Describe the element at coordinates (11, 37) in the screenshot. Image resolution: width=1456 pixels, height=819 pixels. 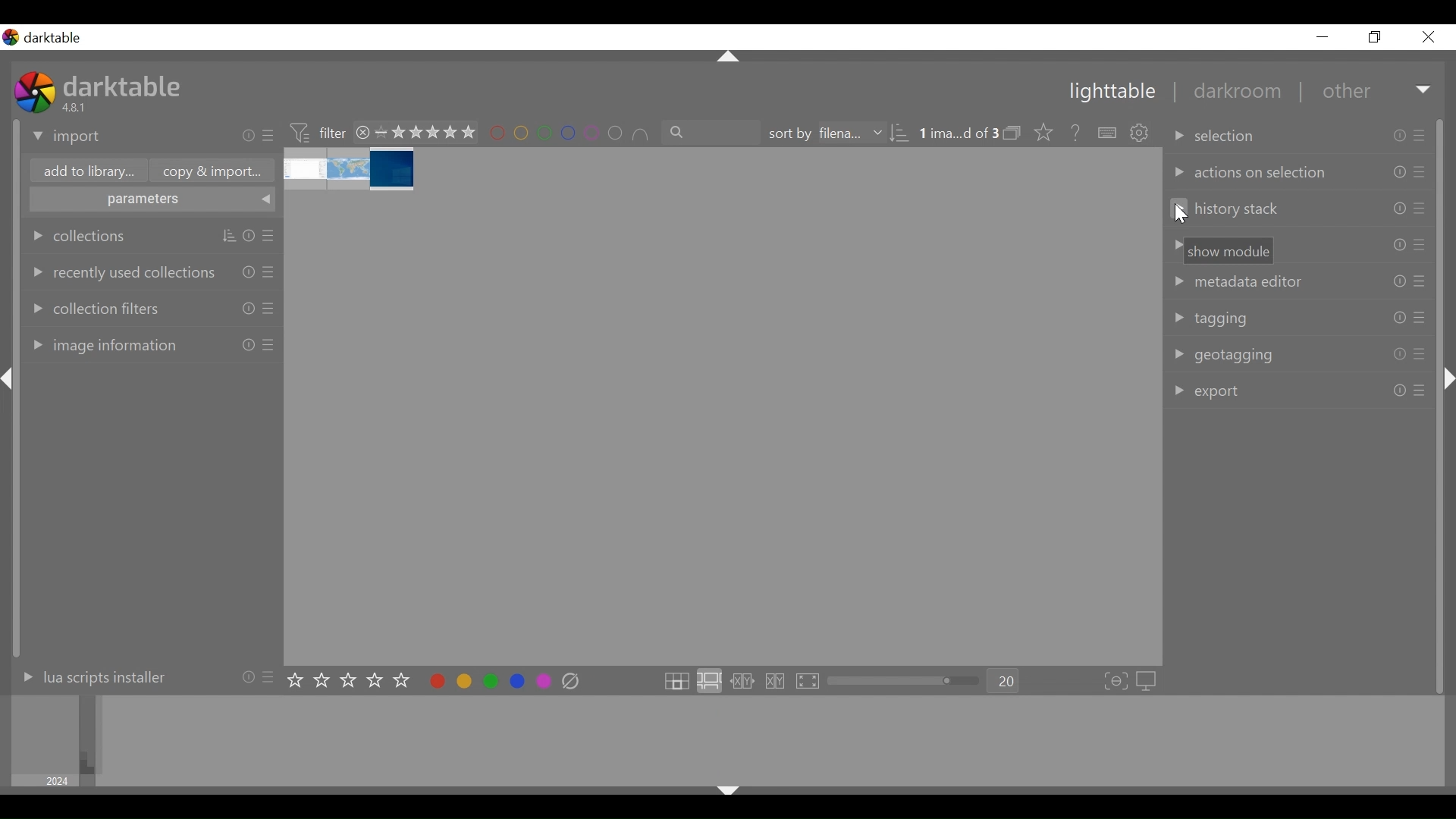
I see `logo` at that location.